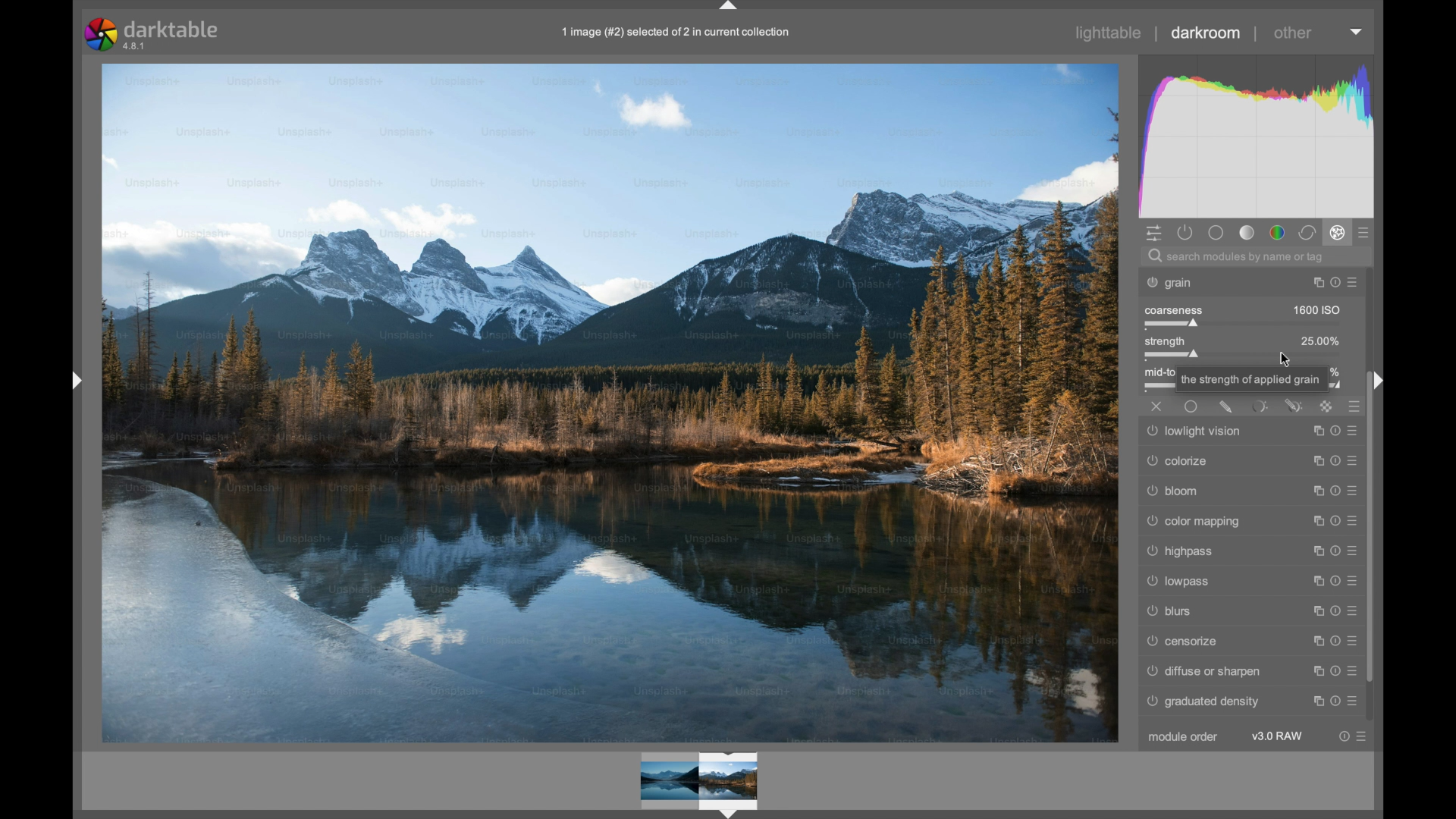  Describe the element at coordinates (1313, 460) in the screenshot. I see `instance` at that location.